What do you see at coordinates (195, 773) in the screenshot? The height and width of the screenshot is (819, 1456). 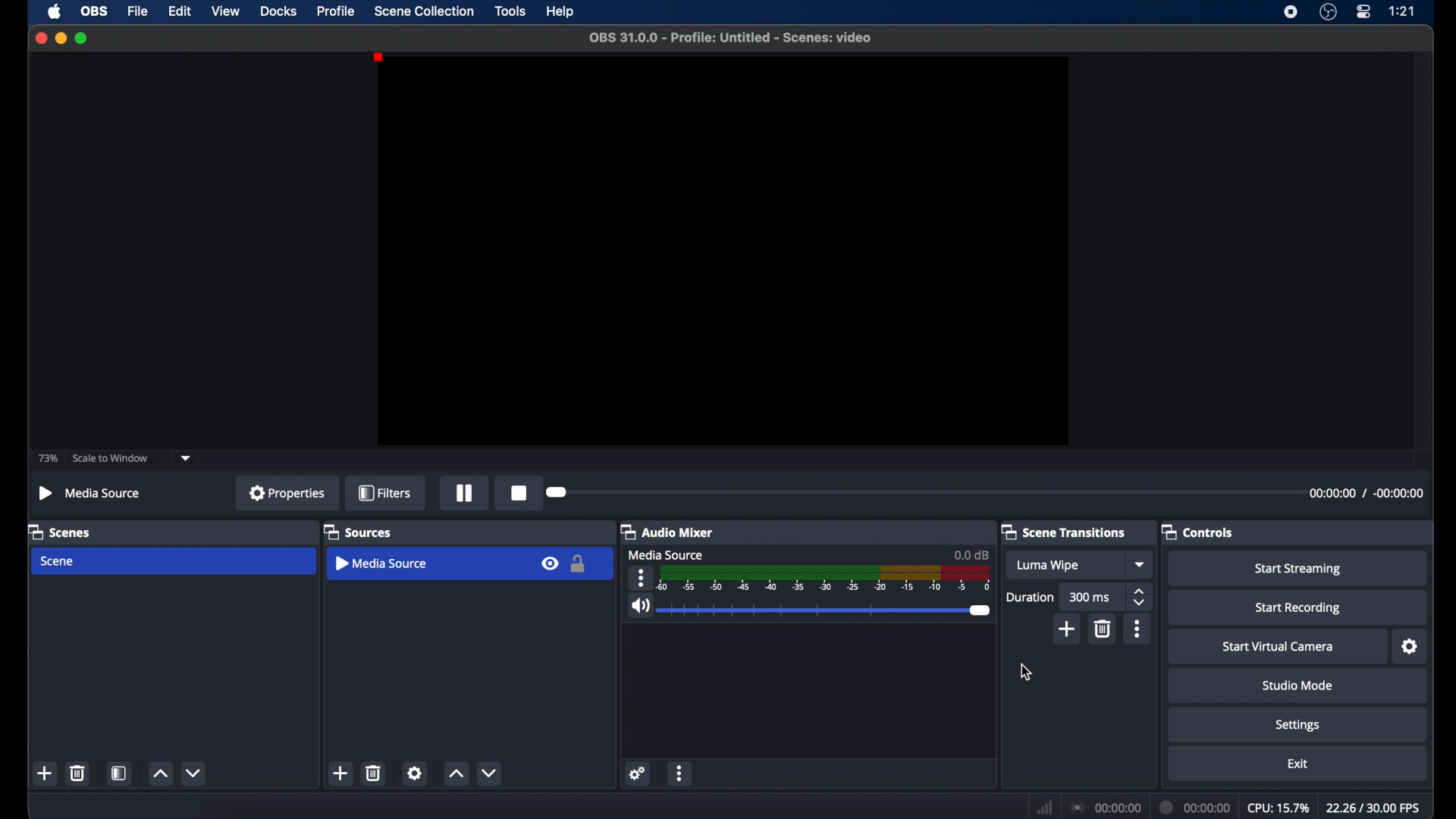 I see `decrement` at bounding box center [195, 773].